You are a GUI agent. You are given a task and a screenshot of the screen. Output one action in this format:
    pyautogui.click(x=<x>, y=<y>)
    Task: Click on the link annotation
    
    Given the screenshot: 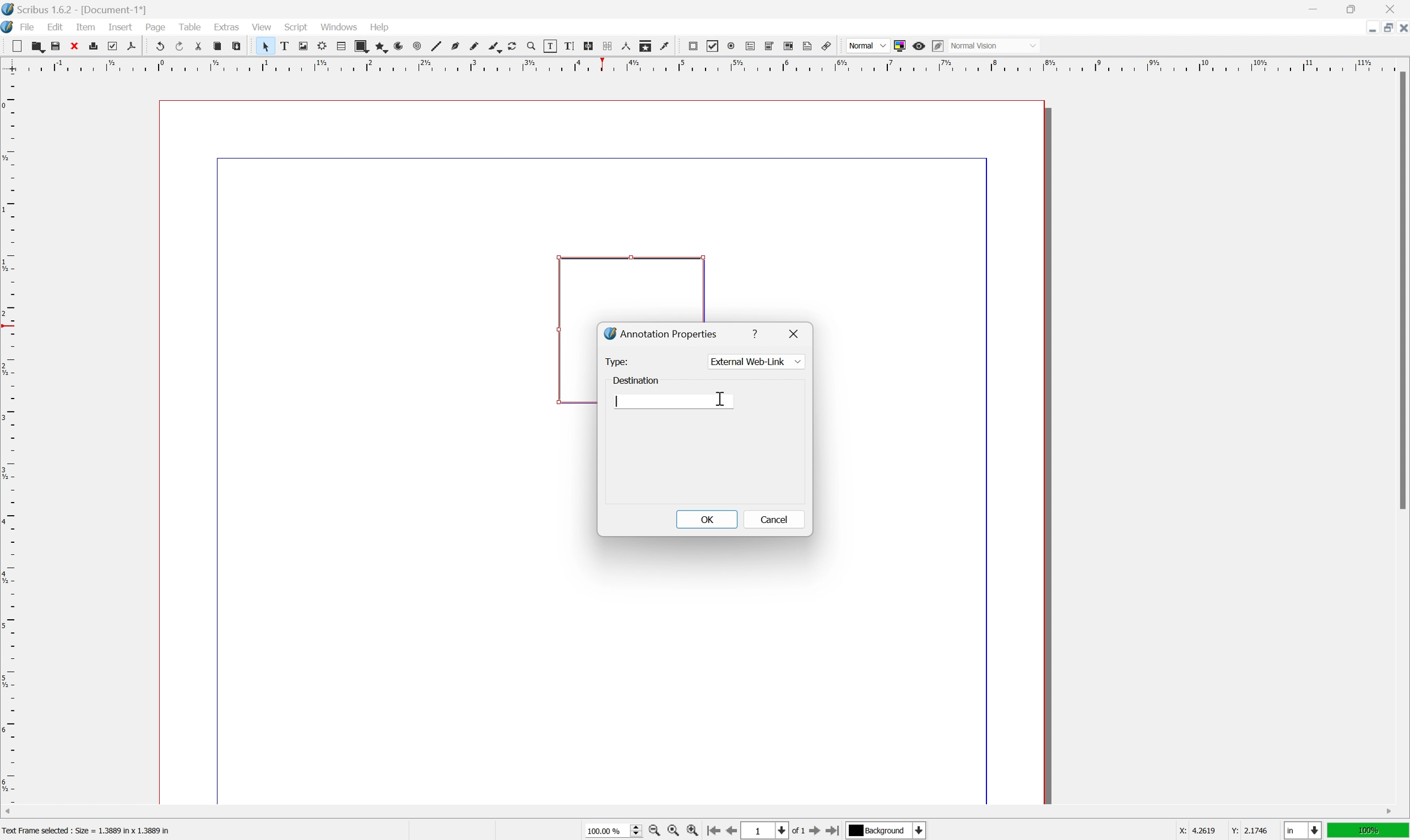 What is the action you would take?
    pyautogui.click(x=826, y=46)
    